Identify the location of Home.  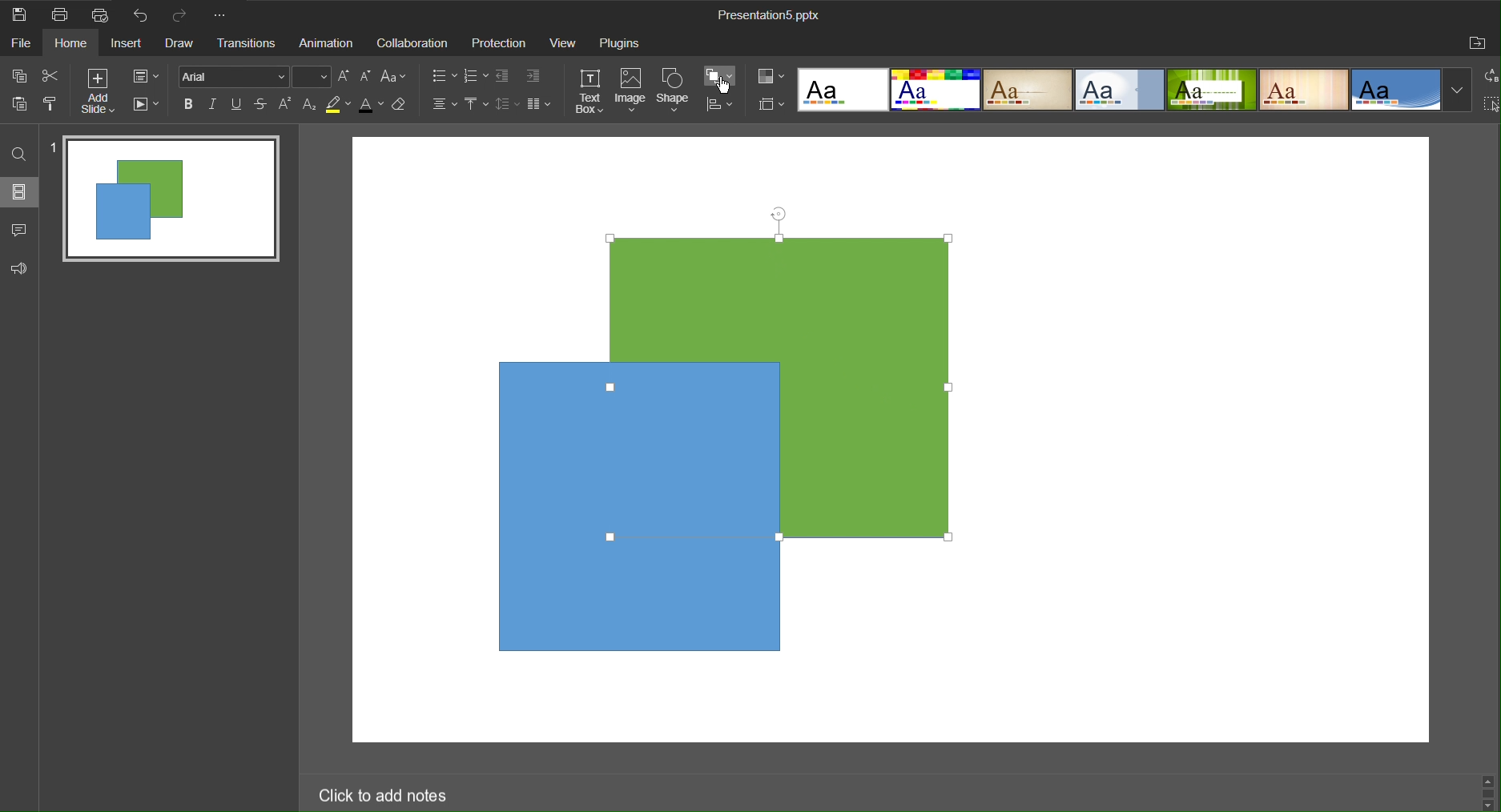
(81, 43).